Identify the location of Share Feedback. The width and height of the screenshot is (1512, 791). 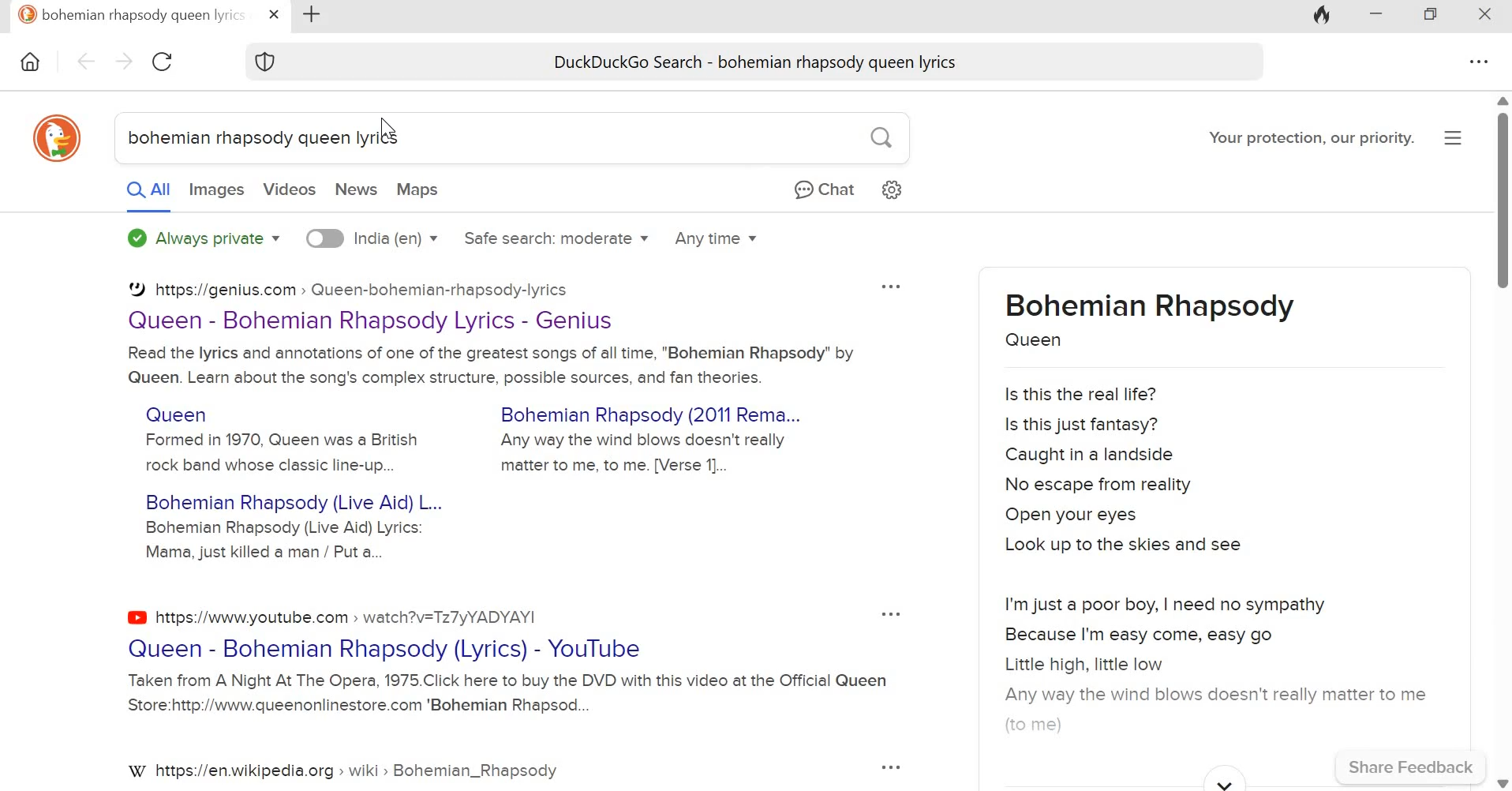
(1410, 769).